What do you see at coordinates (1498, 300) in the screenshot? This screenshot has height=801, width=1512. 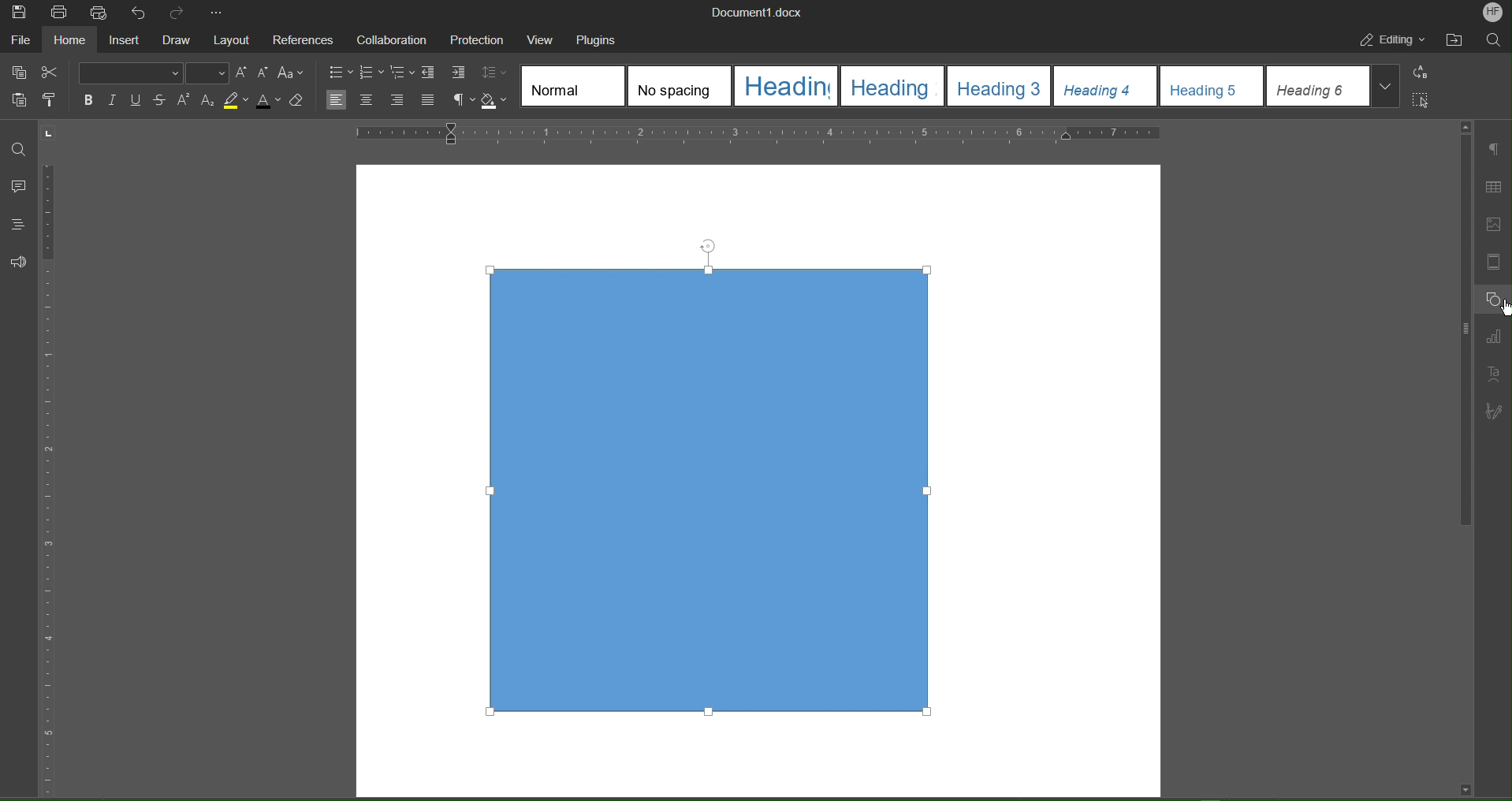 I see `Shape Settings` at bounding box center [1498, 300].